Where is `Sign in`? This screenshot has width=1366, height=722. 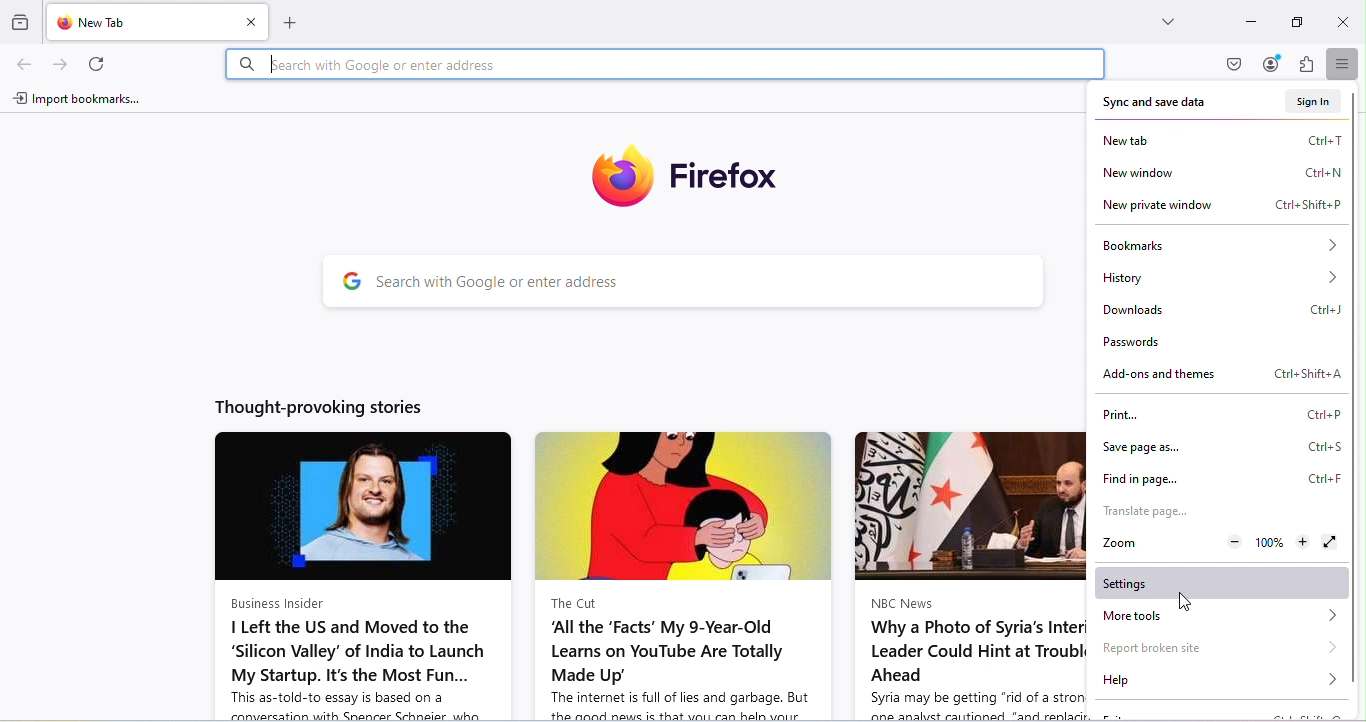
Sign in is located at coordinates (1309, 102).